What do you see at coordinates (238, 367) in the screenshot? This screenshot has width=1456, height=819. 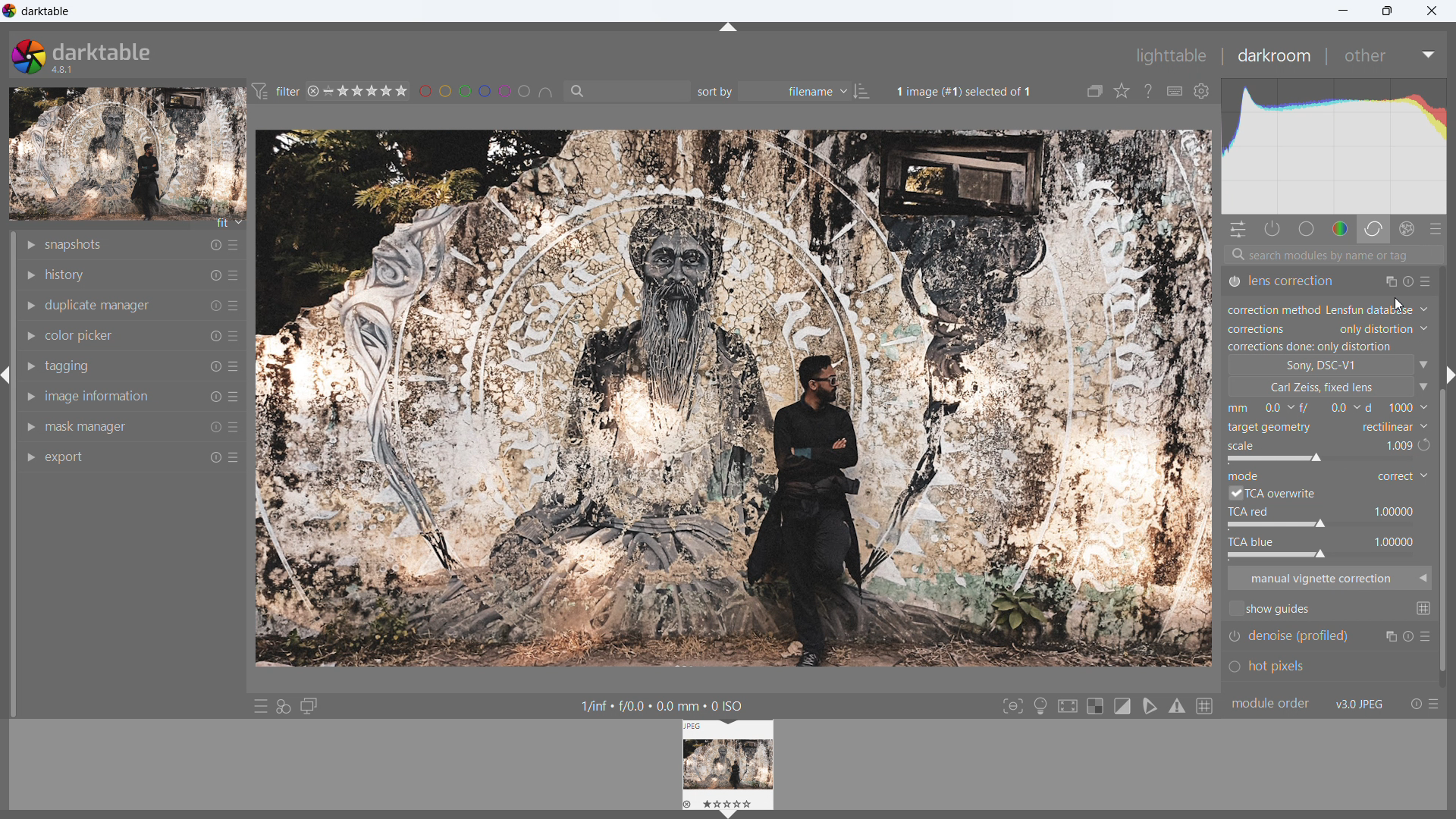 I see `more options` at bounding box center [238, 367].